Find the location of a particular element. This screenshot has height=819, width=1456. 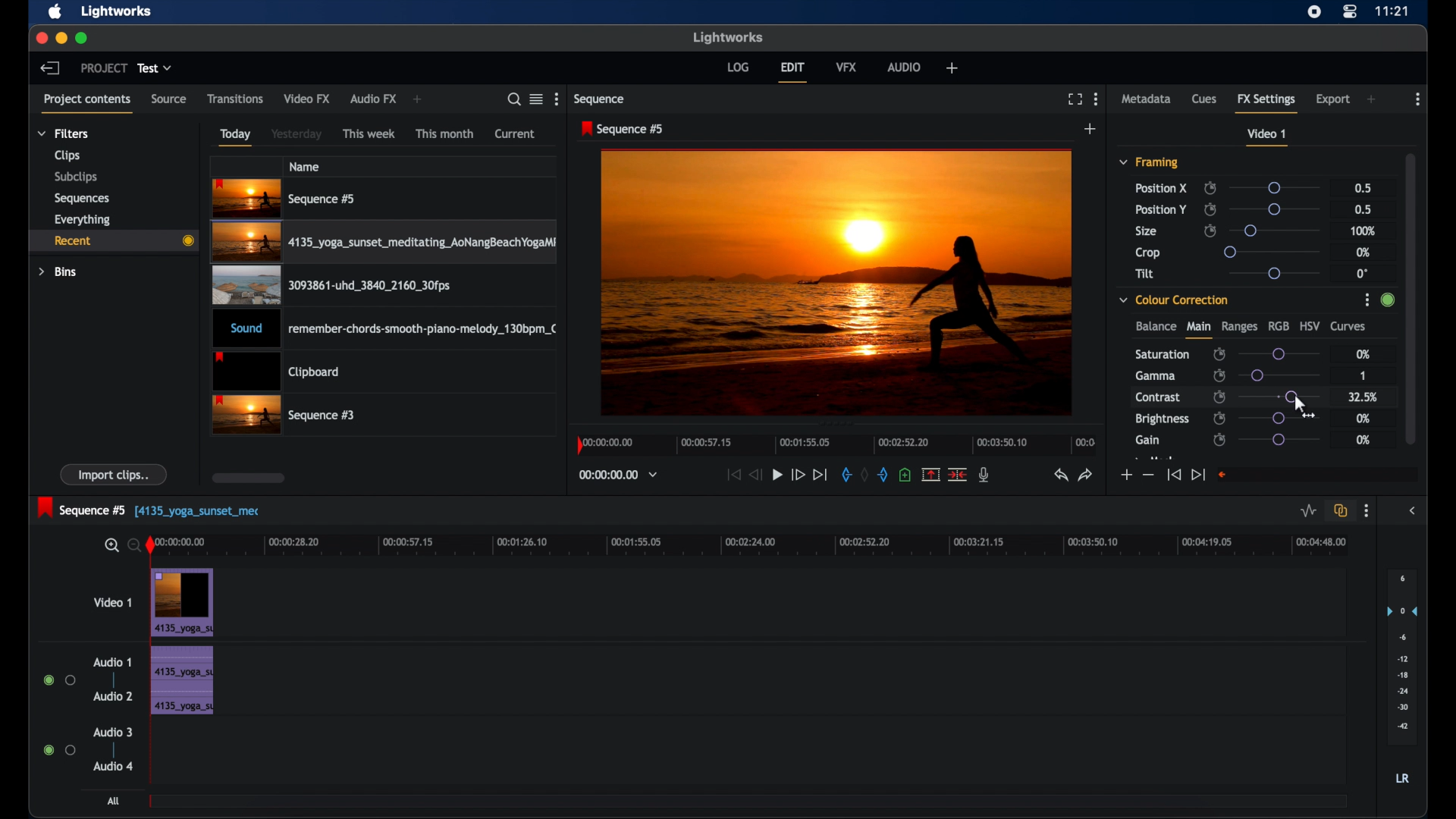

contrast is located at coordinates (1157, 398).